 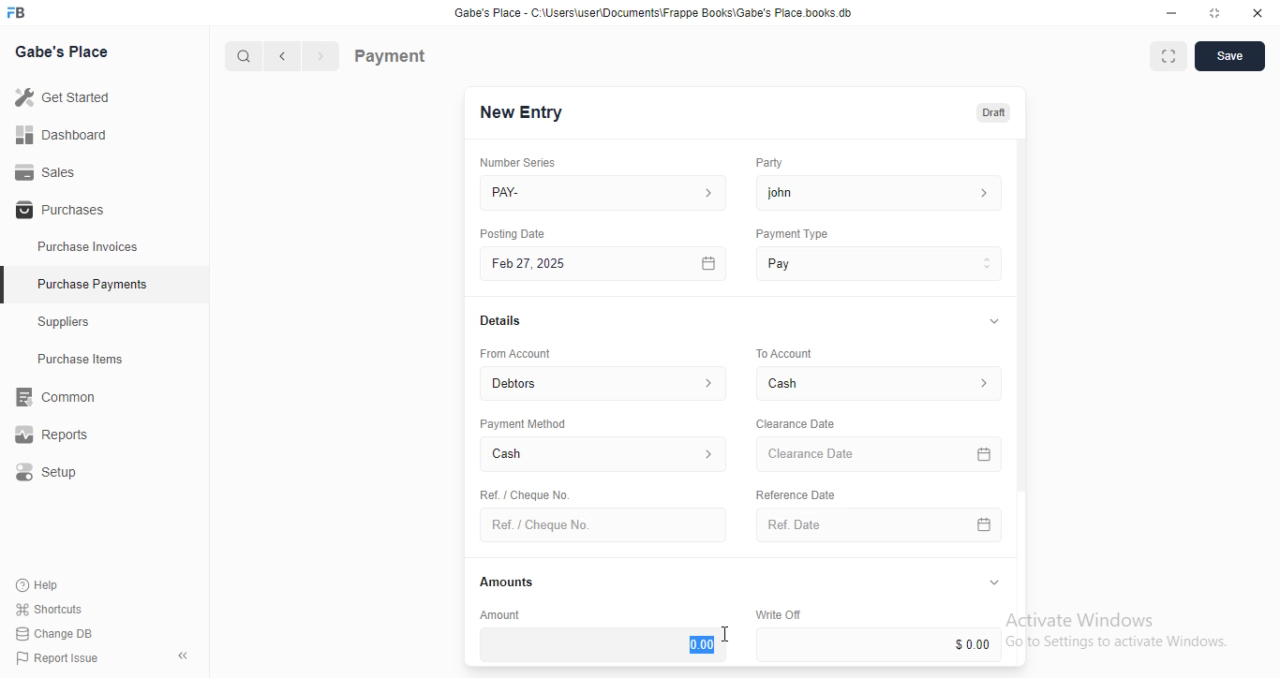 What do you see at coordinates (55, 398) in the screenshot?
I see `Rit
Common` at bounding box center [55, 398].